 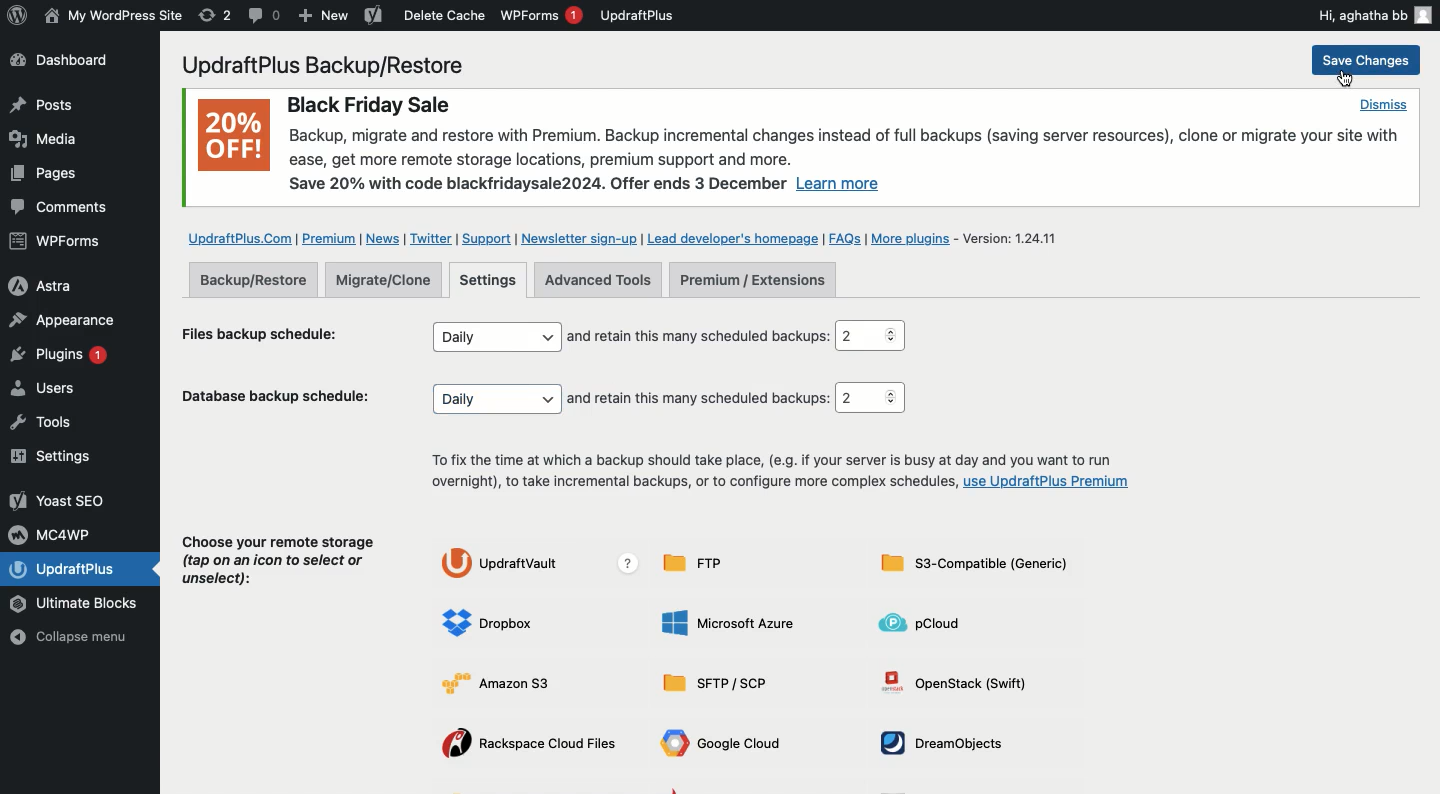 What do you see at coordinates (233, 139) in the screenshot?
I see `20% OFF` at bounding box center [233, 139].